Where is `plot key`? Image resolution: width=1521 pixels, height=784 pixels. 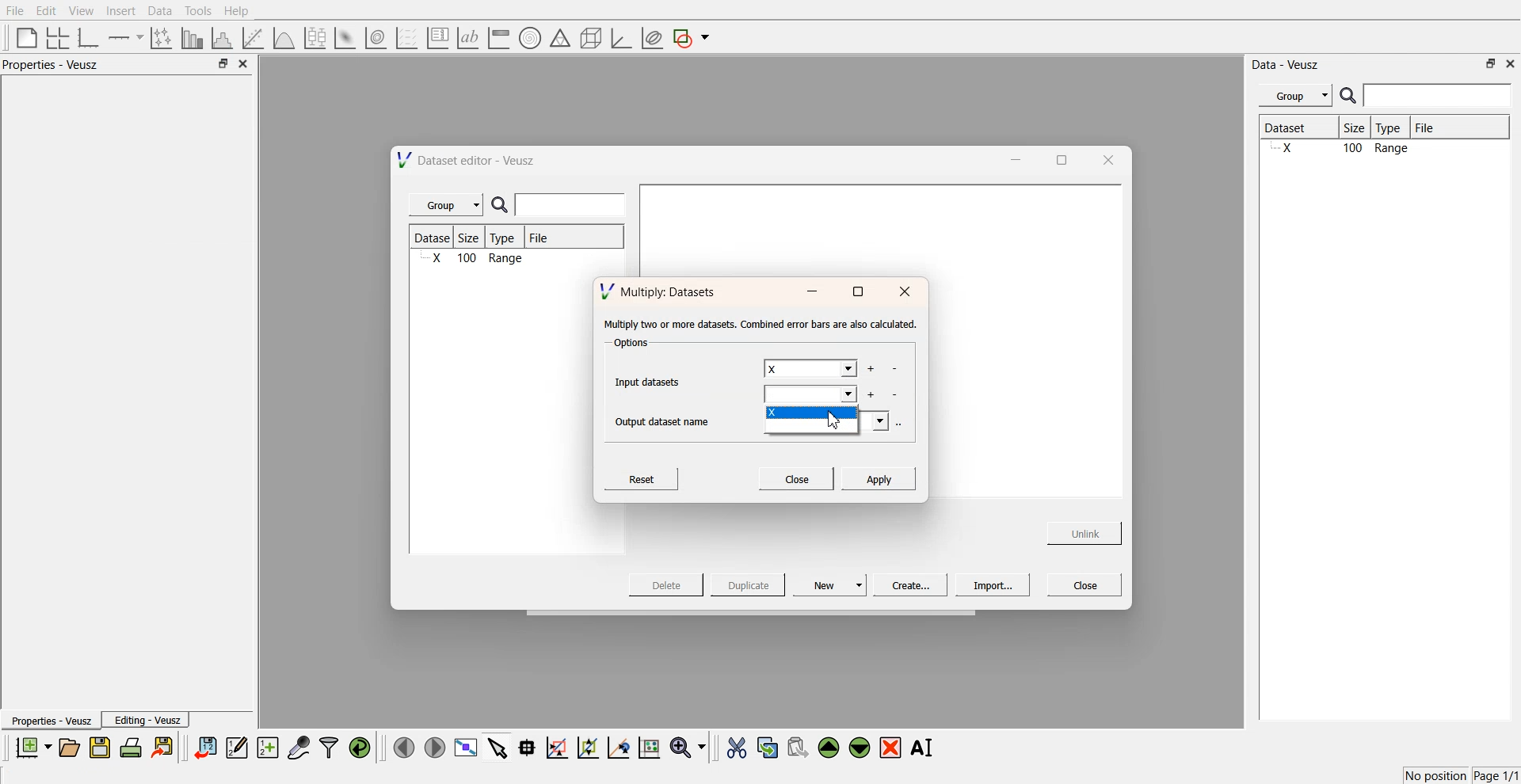 plot key is located at coordinates (437, 38).